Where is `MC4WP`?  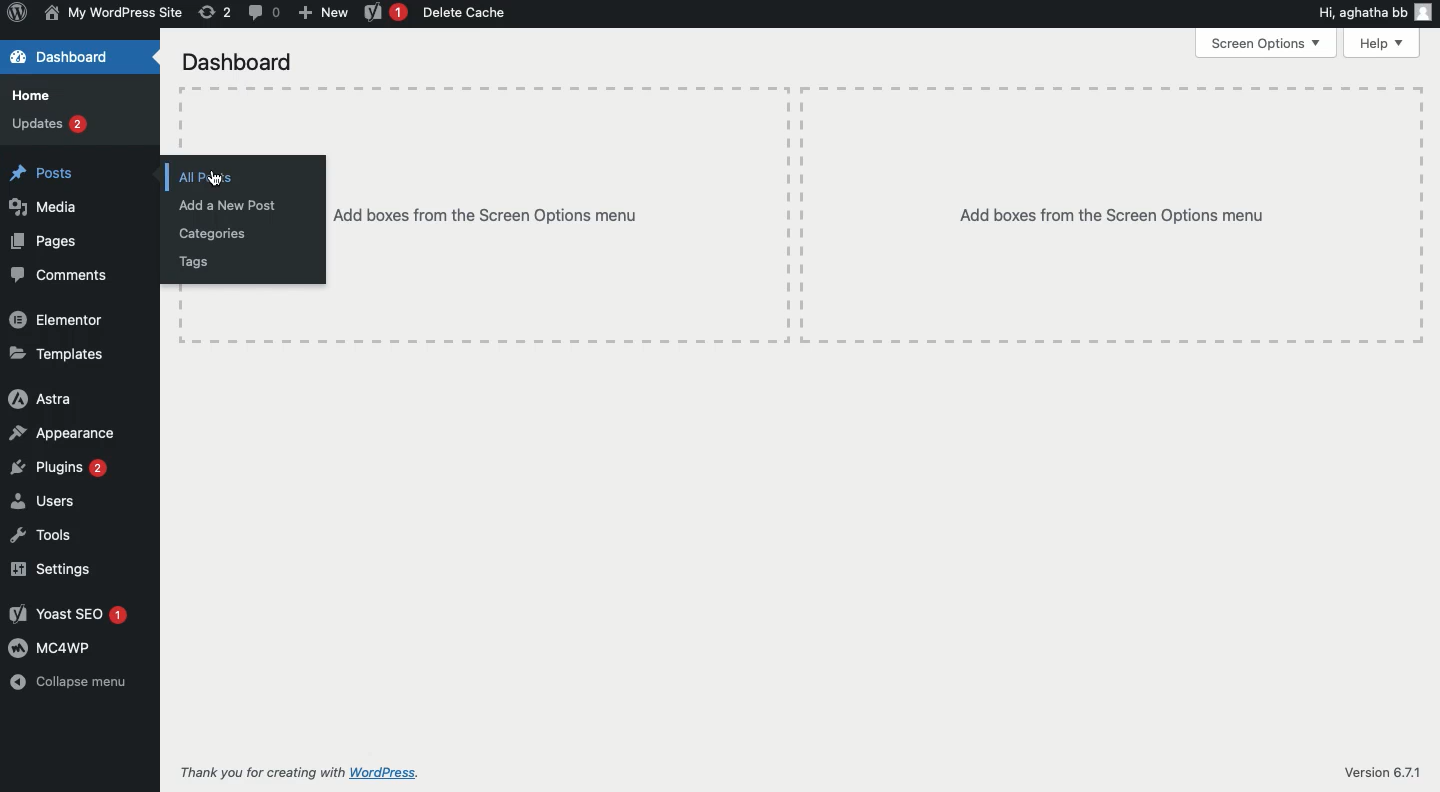
MC4WP is located at coordinates (51, 647).